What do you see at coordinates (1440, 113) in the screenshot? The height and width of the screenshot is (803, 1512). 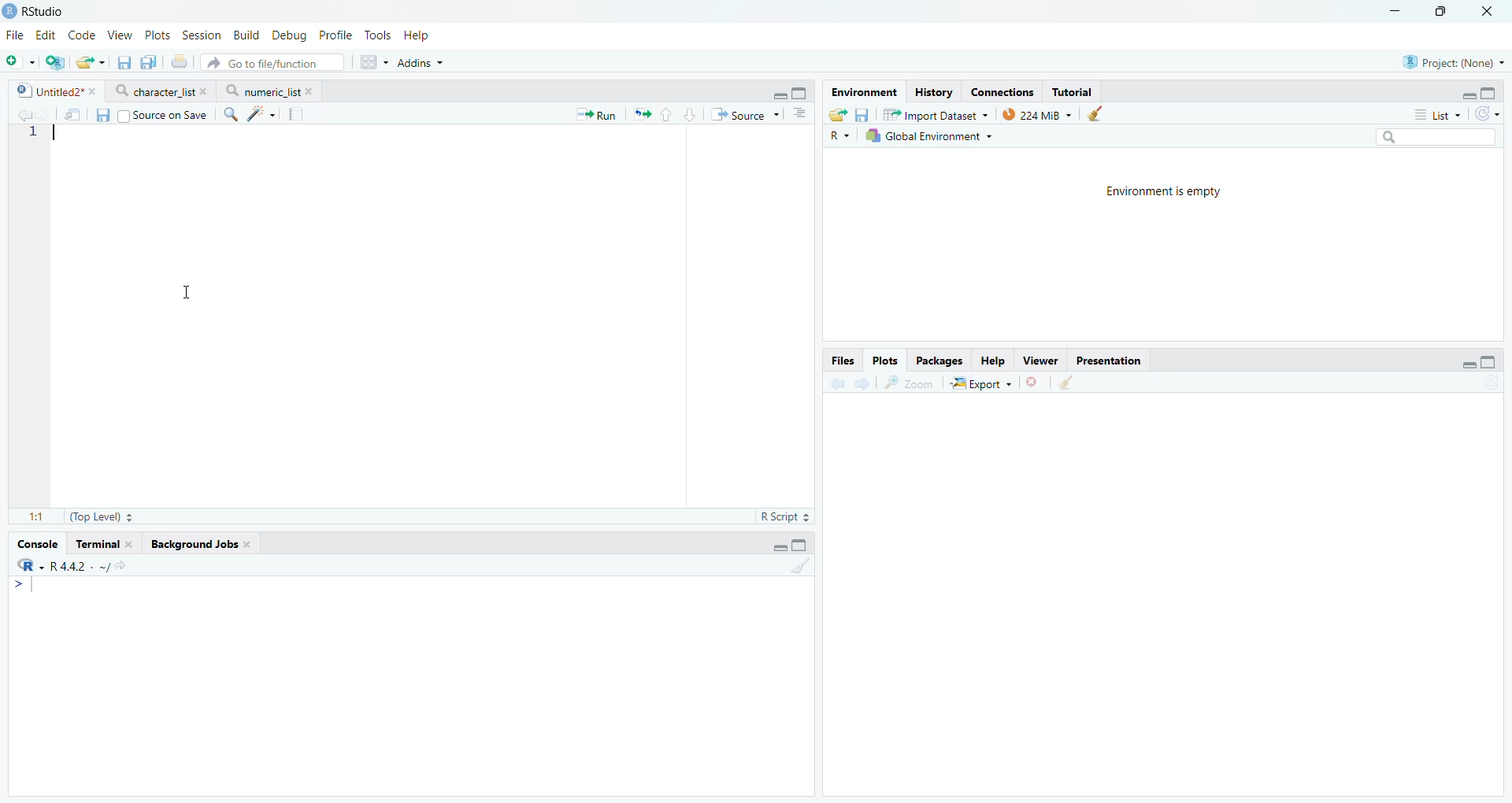 I see `List` at bounding box center [1440, 113].